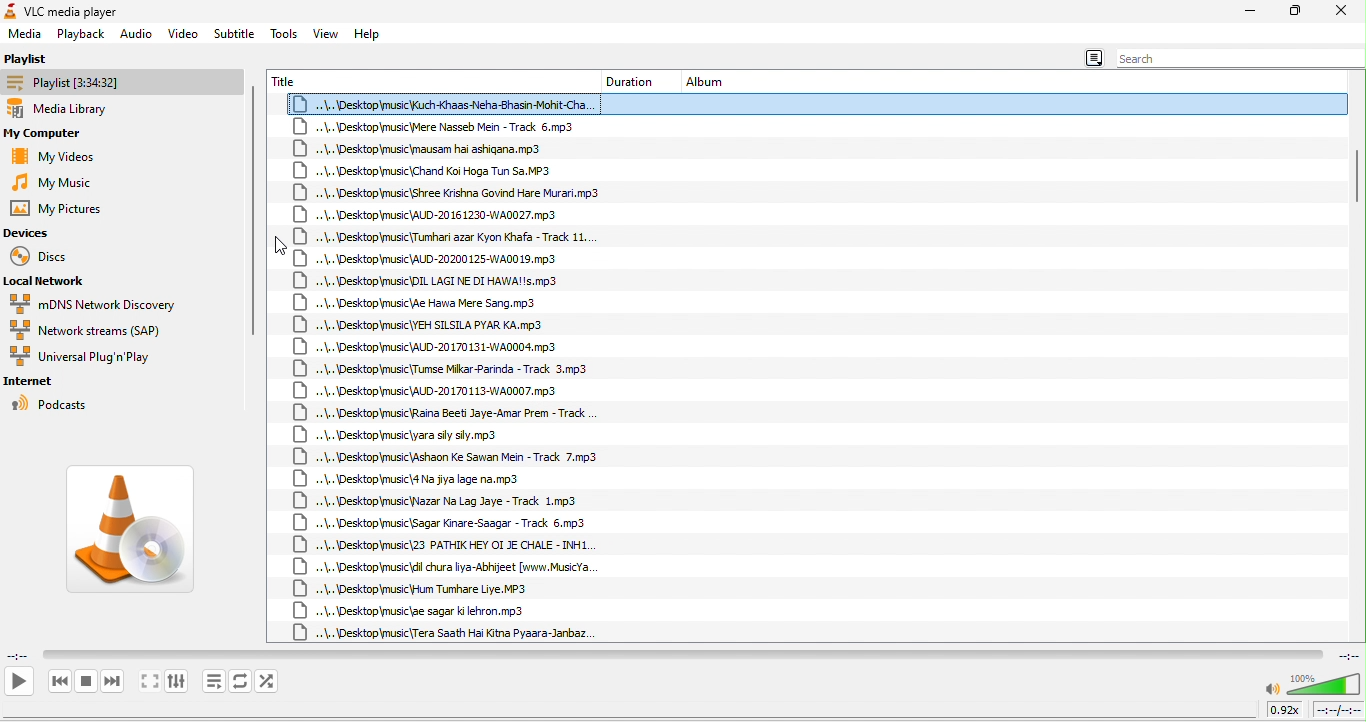 The height and width of the screenshot is (722, 1366). I want to click on total time/remaining time, so click(1337, 710).